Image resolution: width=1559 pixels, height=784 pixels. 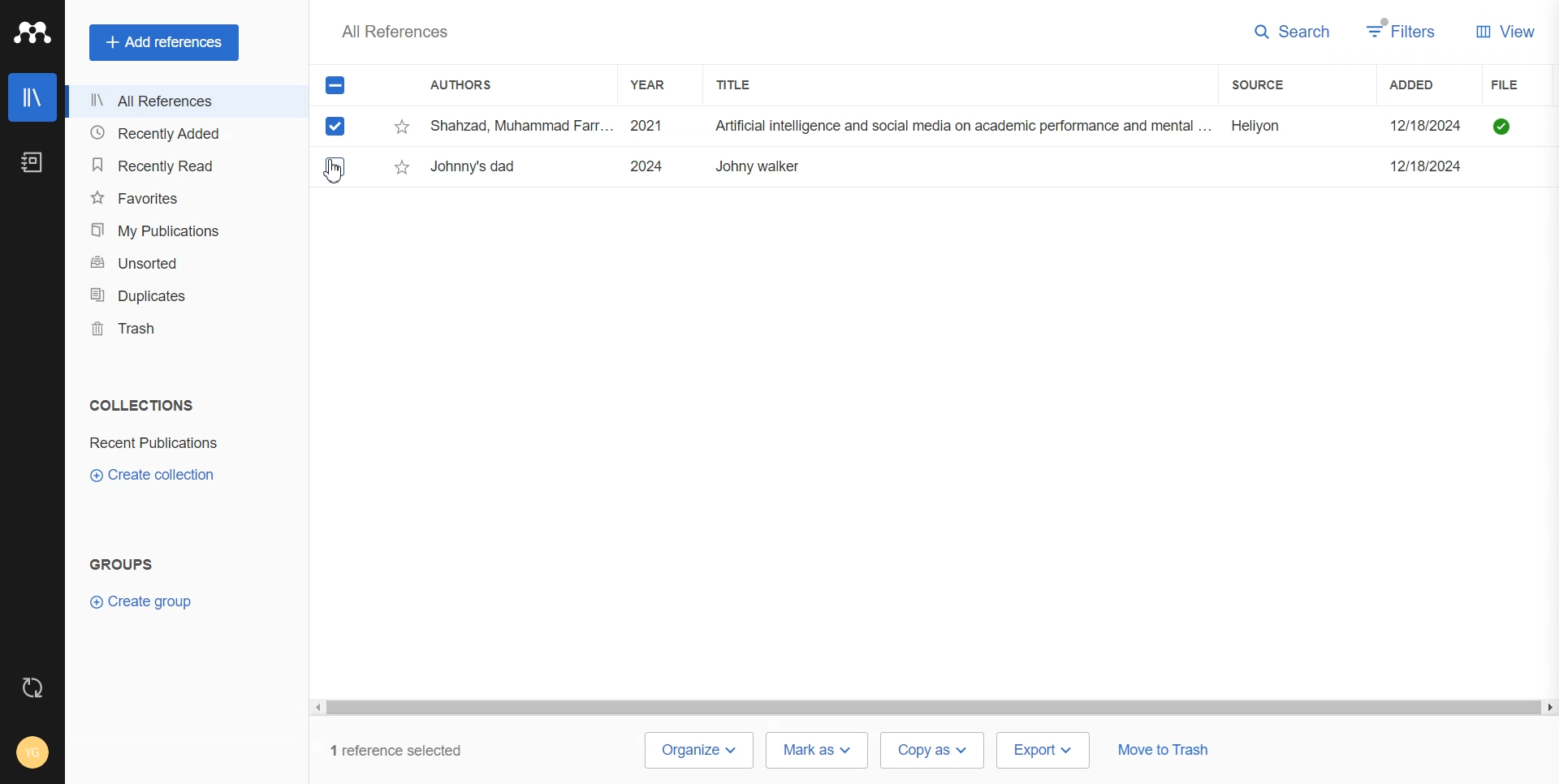 What do you see at coordinates (934, 751) in the screenshot?
I see `Copy as` at bounding box center [934, 751].